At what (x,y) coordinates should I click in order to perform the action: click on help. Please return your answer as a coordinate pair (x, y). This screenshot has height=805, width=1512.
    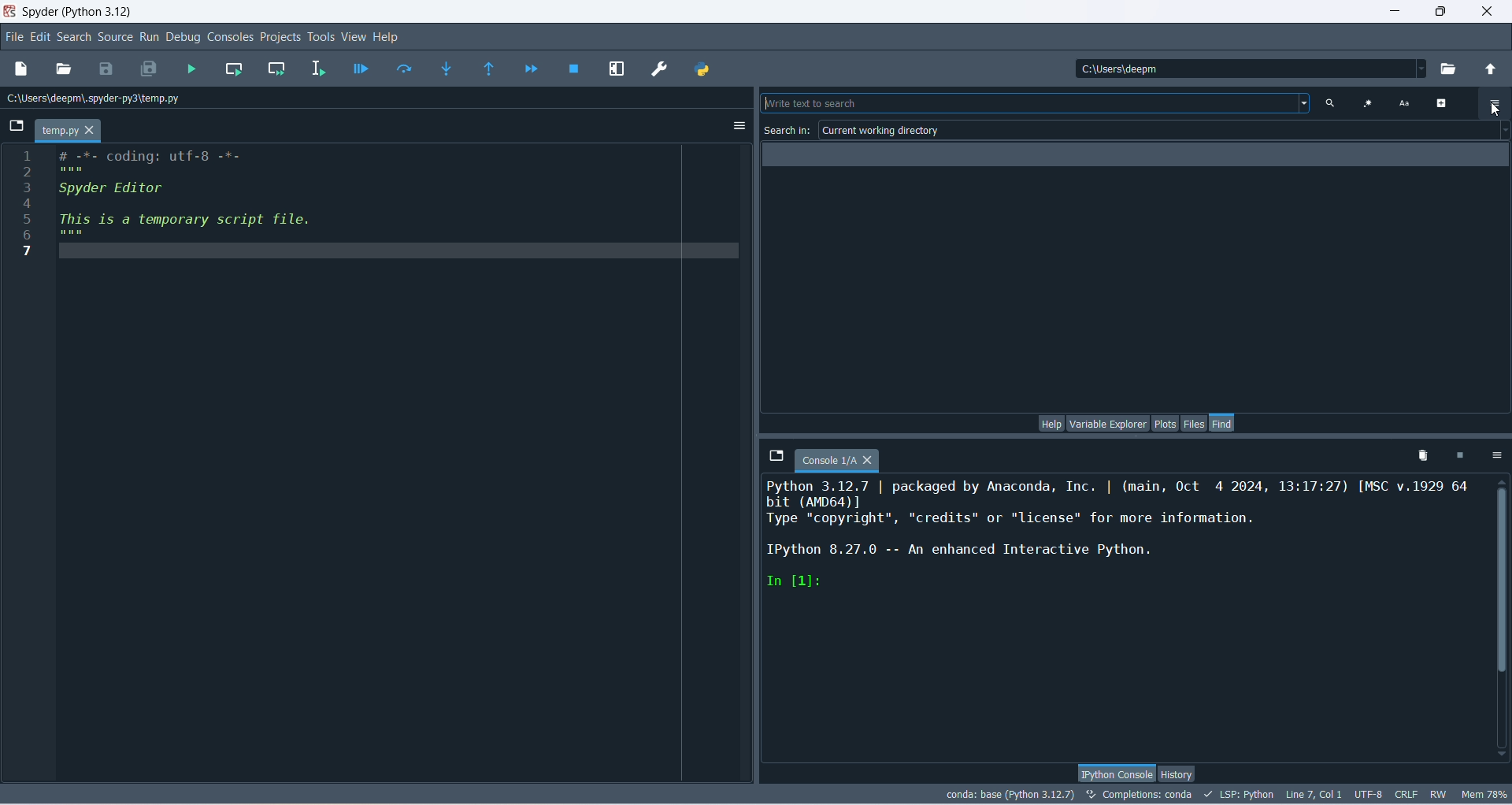
    Looking at the image, I should click on (387, 39).